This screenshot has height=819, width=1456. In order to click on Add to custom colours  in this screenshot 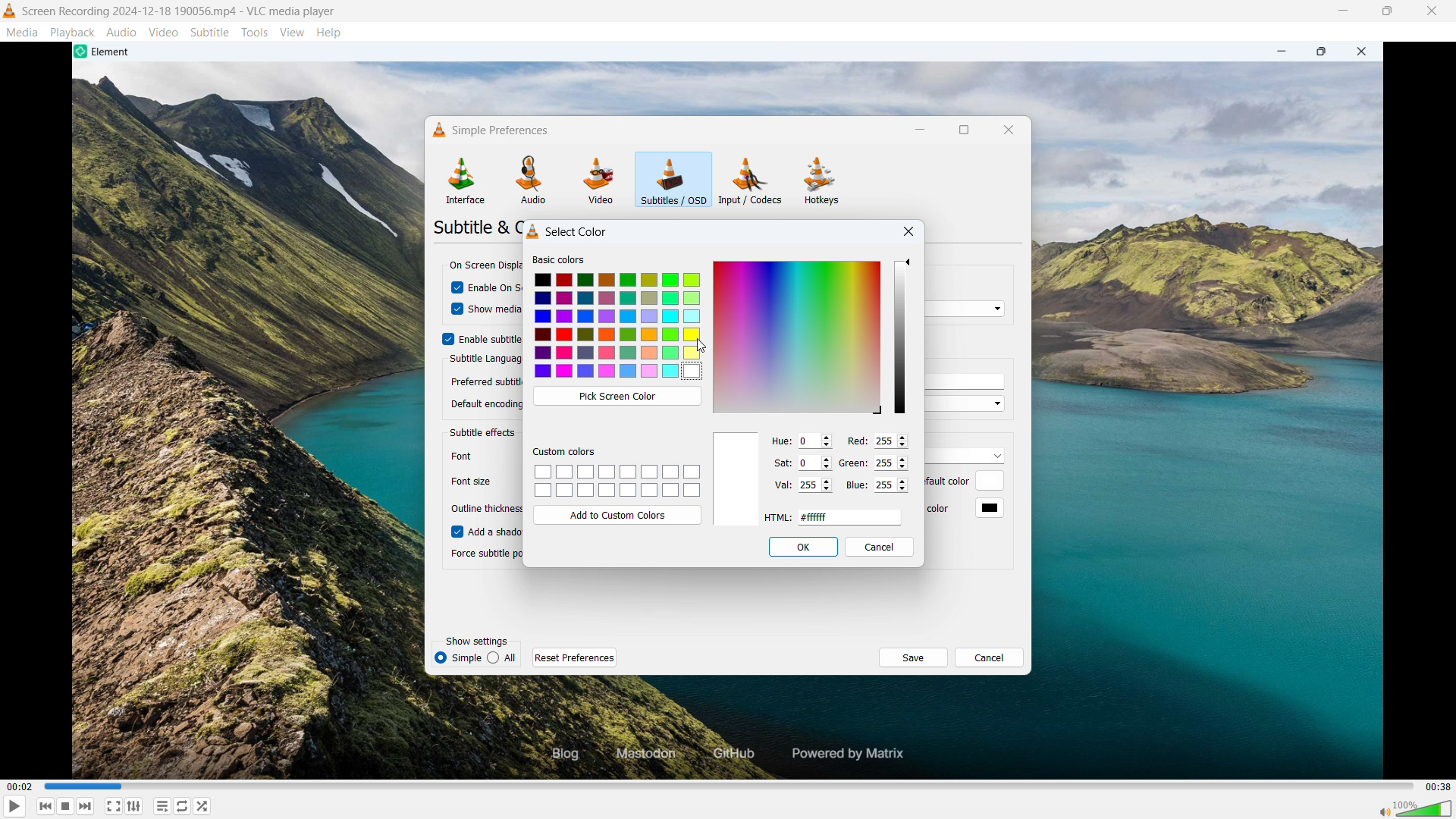, I will do `click(617, 516)`.